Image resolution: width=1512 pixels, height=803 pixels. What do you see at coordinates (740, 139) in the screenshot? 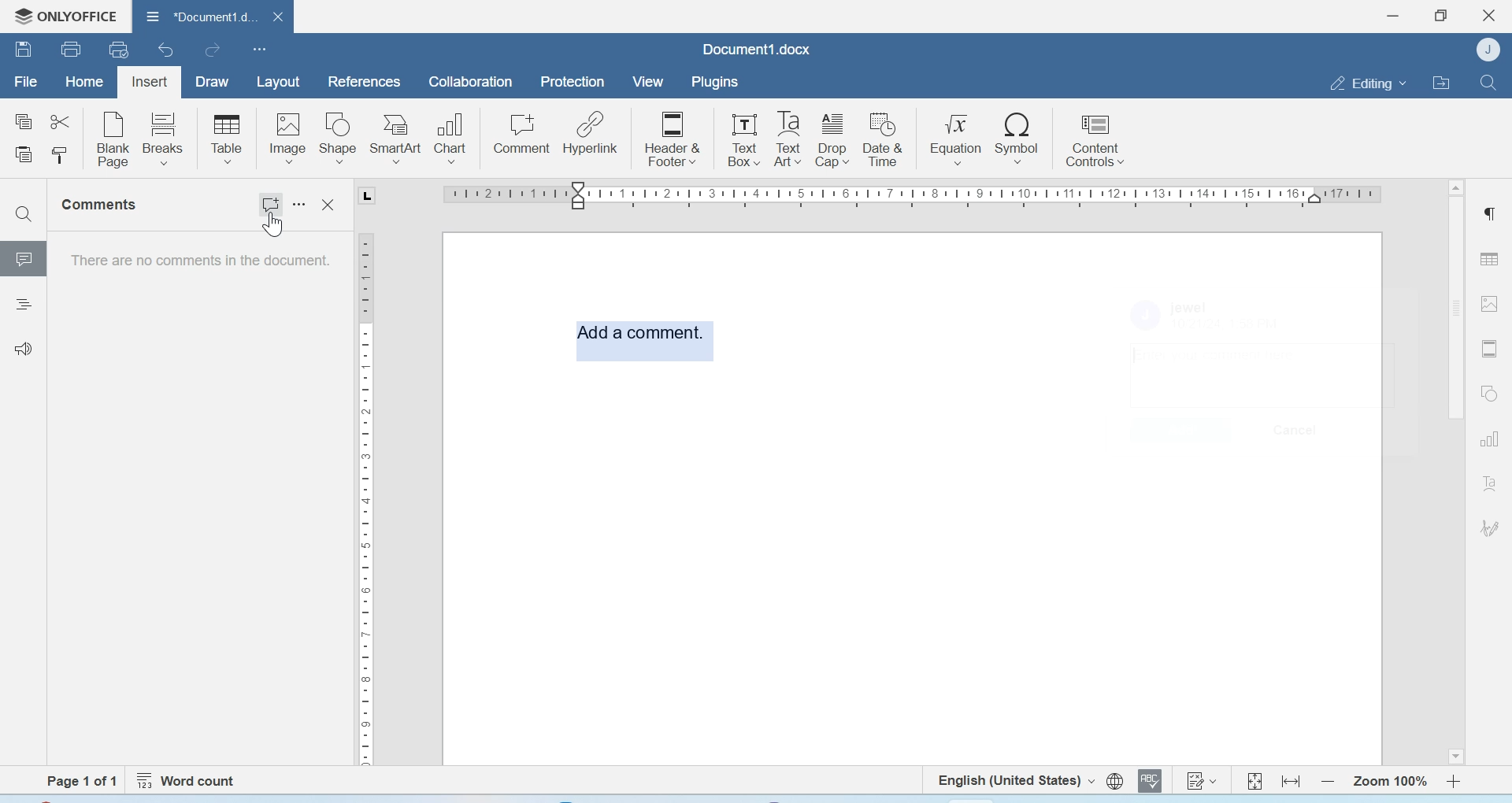
I see `Text Box` at bounding box center [740, 139].